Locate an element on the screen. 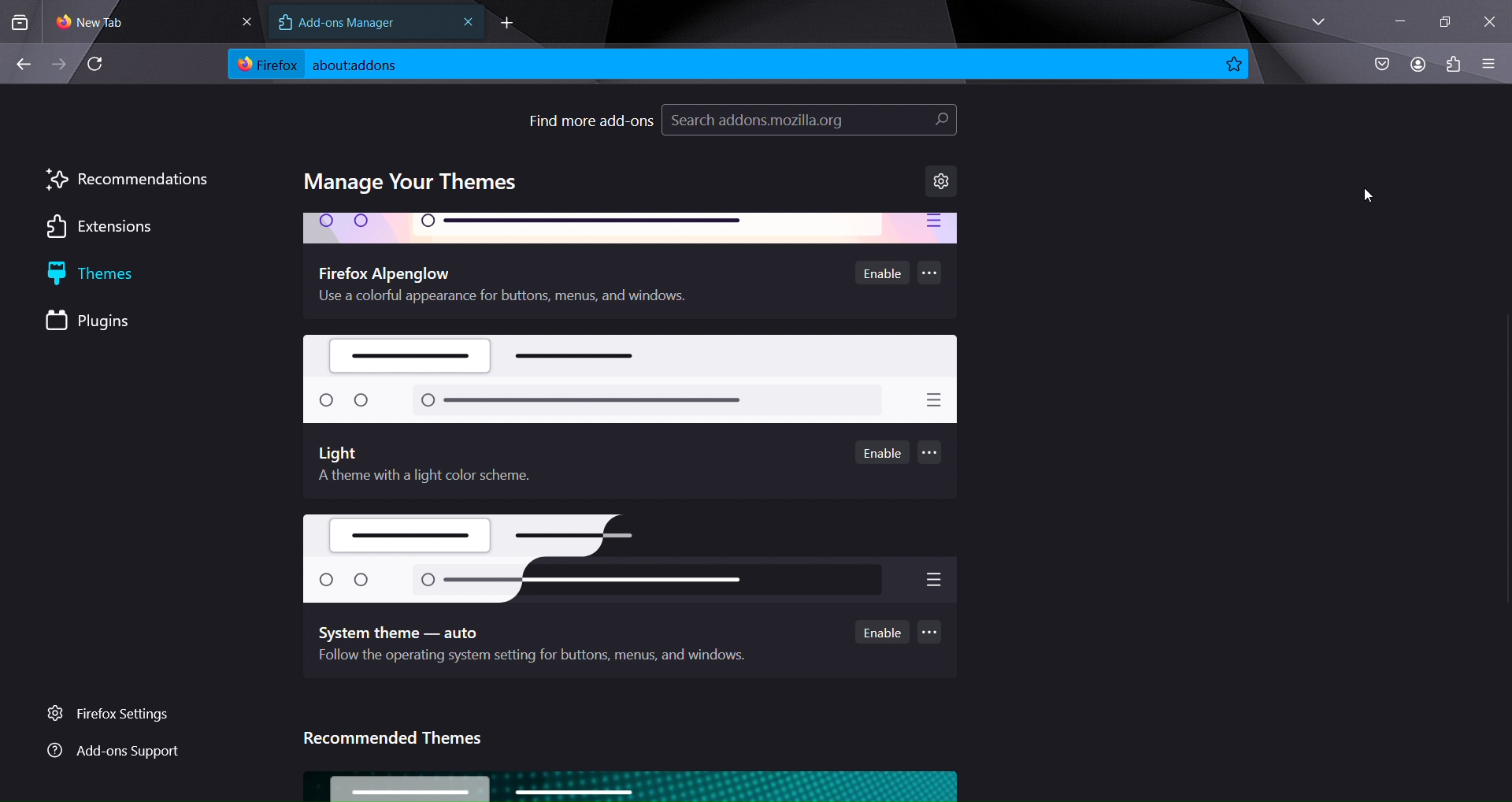  go back one page is located at coordinates (24, 61).